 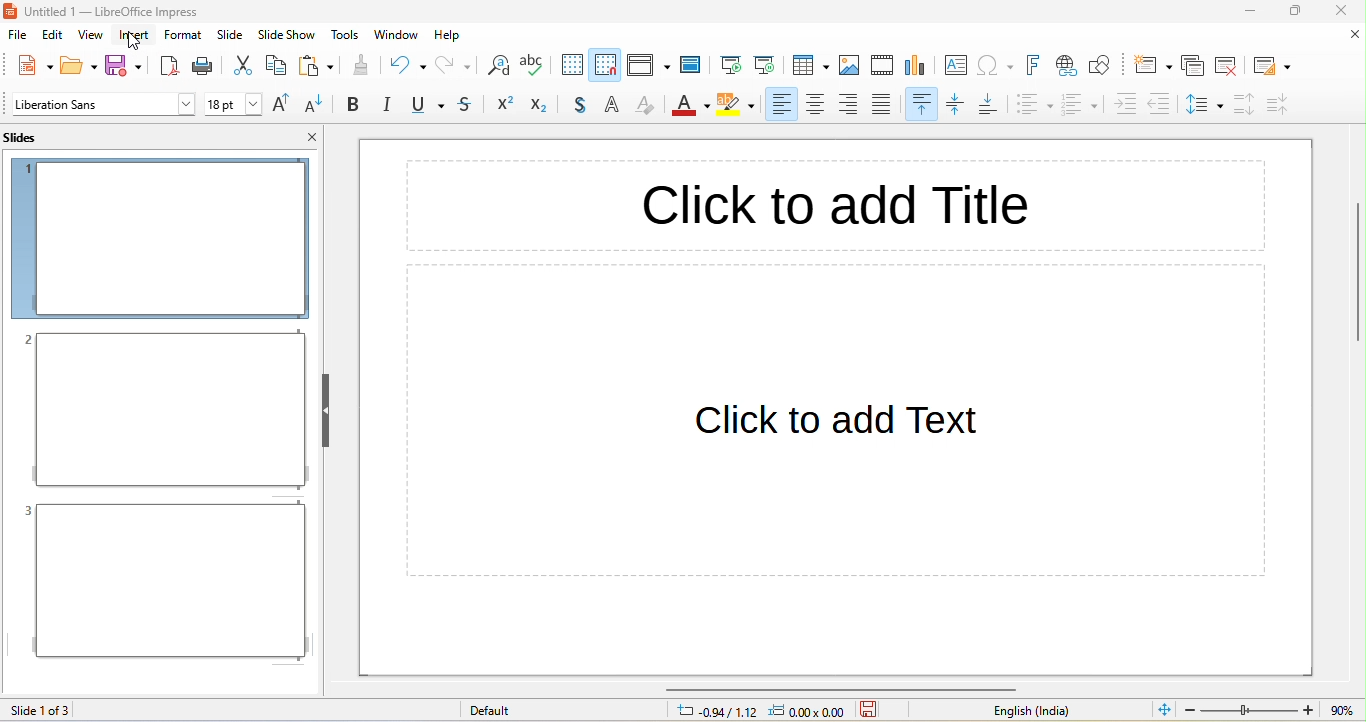 I want to click on master slide, so click(x=695, y=64).